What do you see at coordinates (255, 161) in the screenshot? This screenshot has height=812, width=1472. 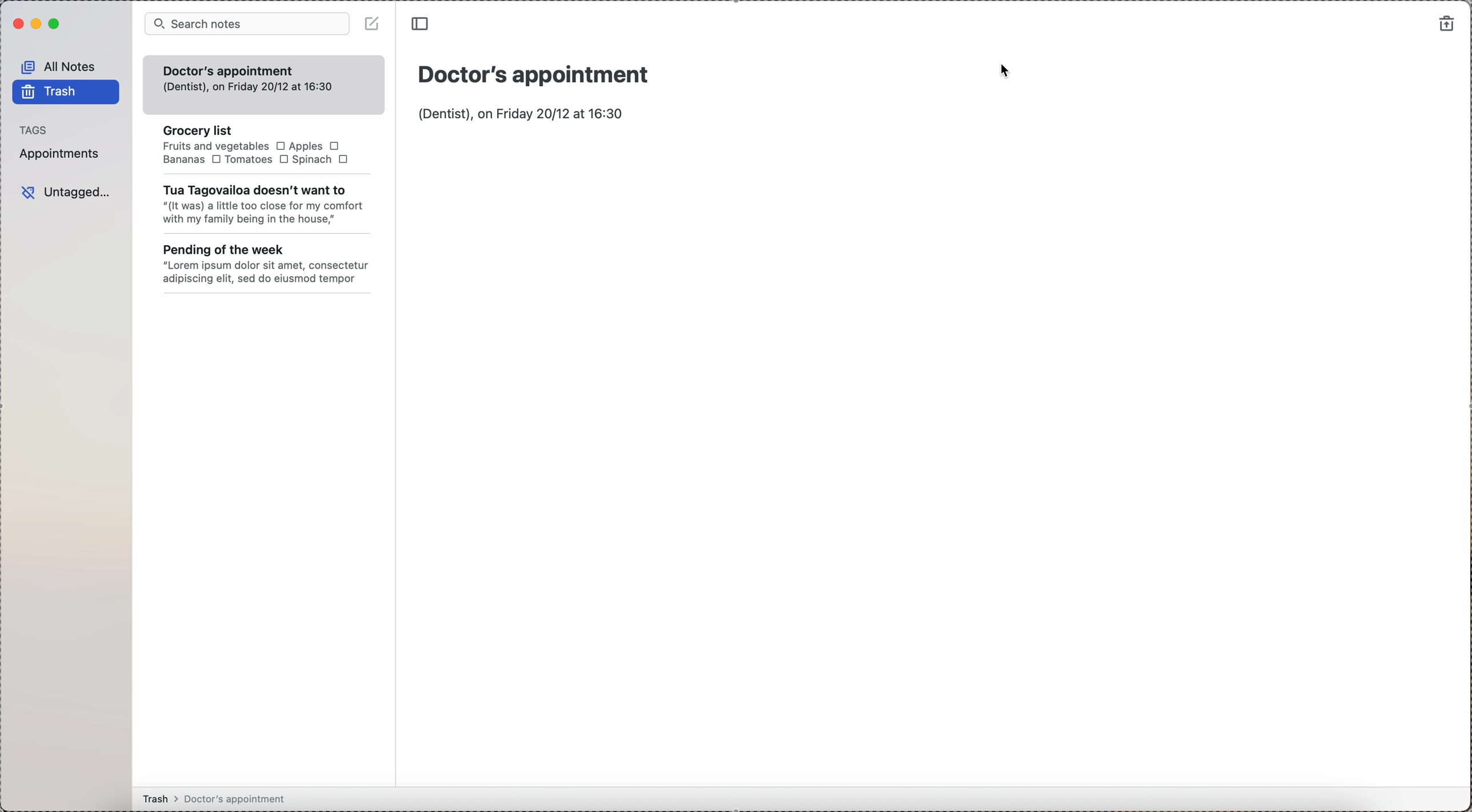 I see `Tomatoes` at bounding box center [255, 161].